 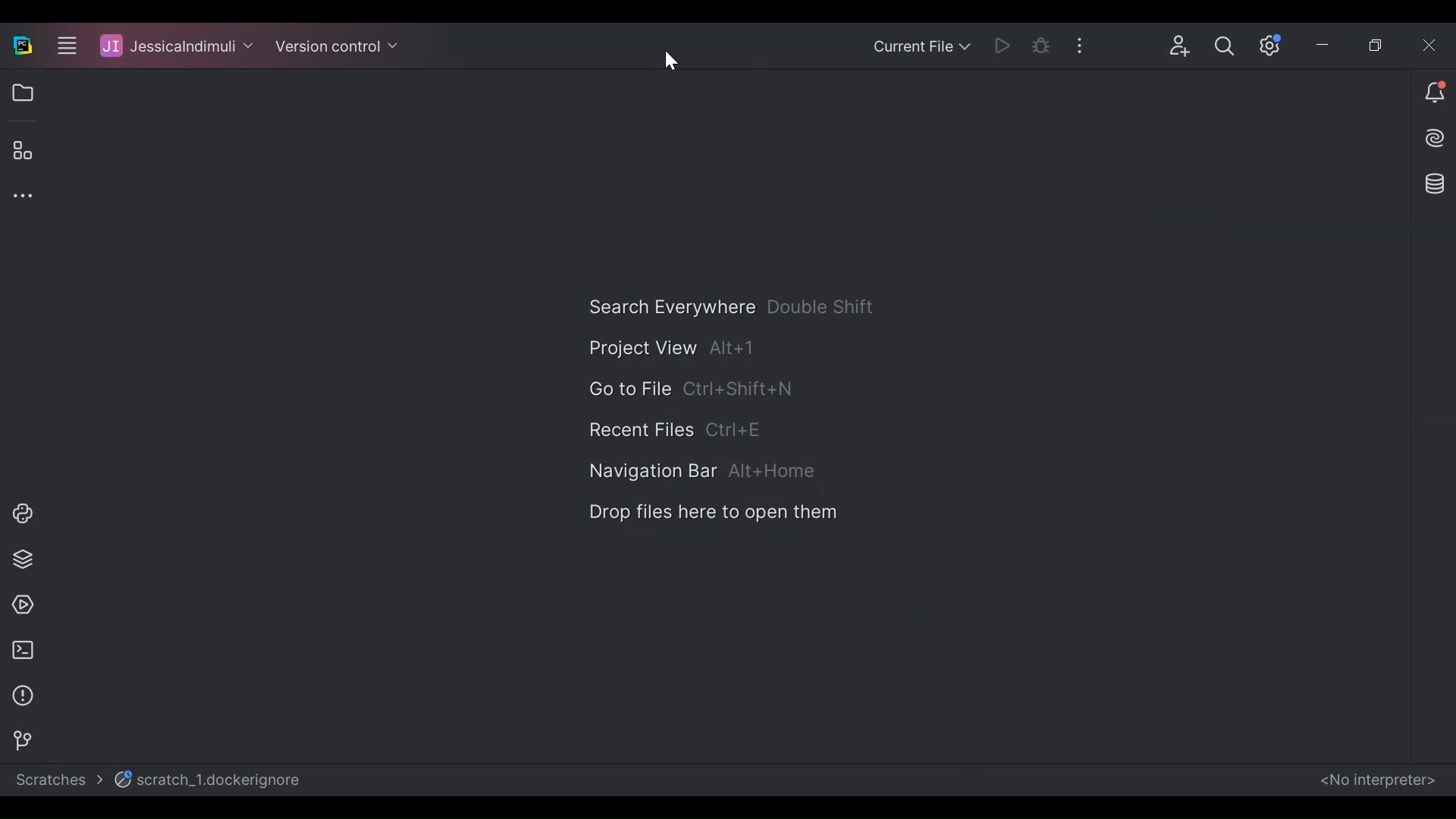 What do you see at coordinates (56, 783) in the screenshot?
I see `Scratches` at bounding box center [56, 783].